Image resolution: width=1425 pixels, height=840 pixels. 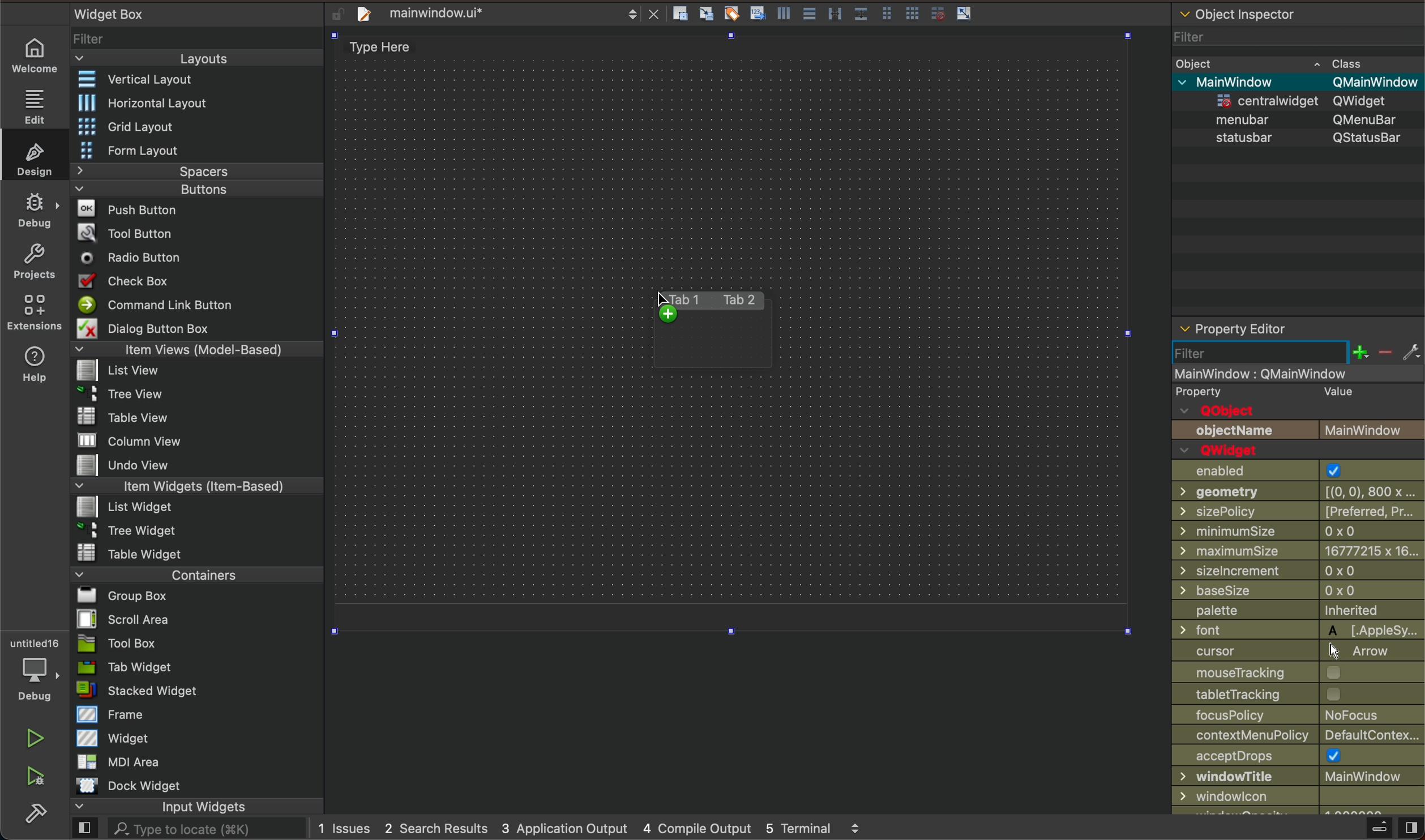 What do you see at coordinates (119, 371) in the screenshot?
I see ` list View` at bounding box center [119, 371].